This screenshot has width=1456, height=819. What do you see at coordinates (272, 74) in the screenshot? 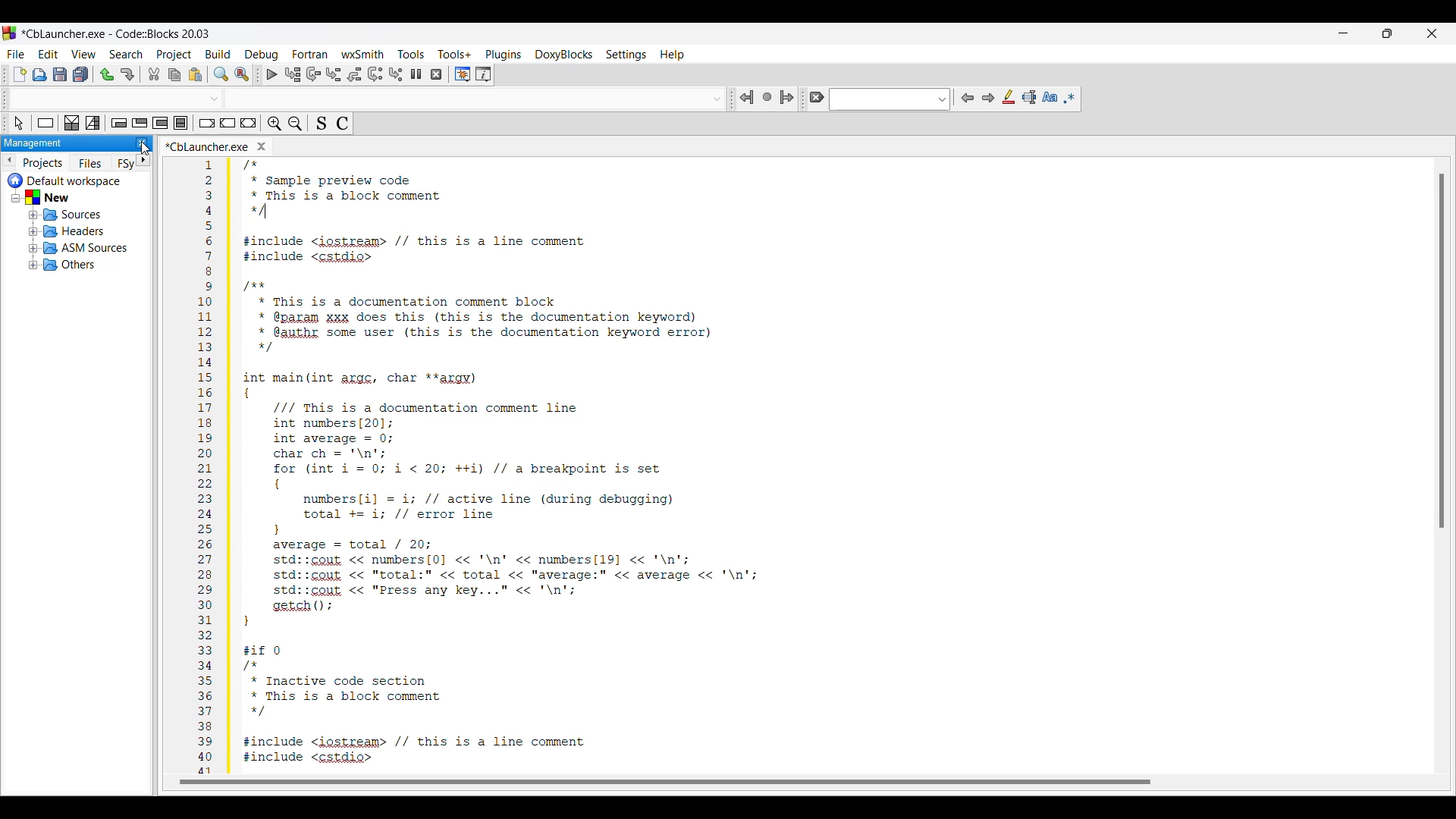
I see `Debug/Continue` at bounding box center [272, 74].